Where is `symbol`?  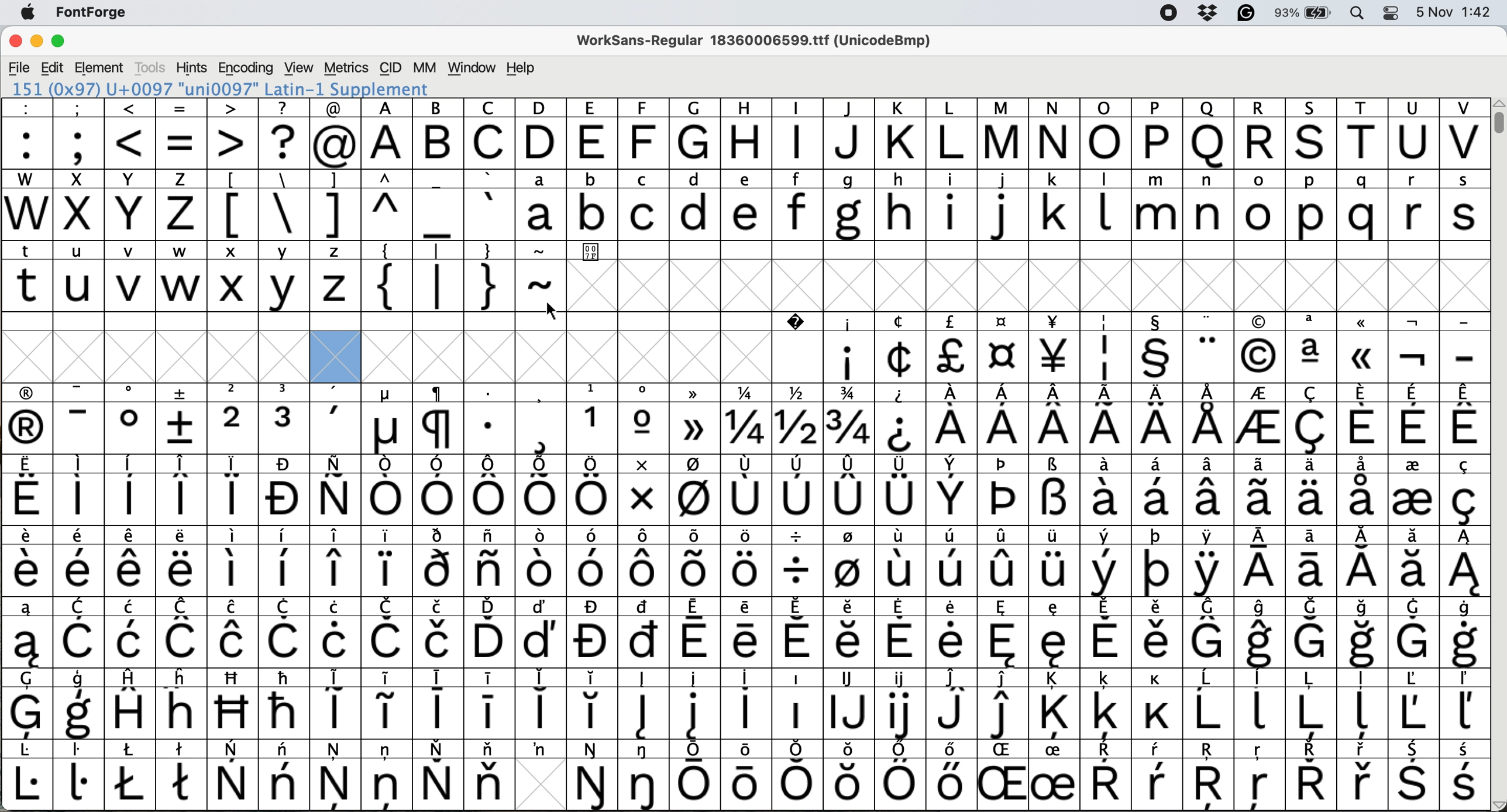
symbol is located at coordinates (1464, 633).